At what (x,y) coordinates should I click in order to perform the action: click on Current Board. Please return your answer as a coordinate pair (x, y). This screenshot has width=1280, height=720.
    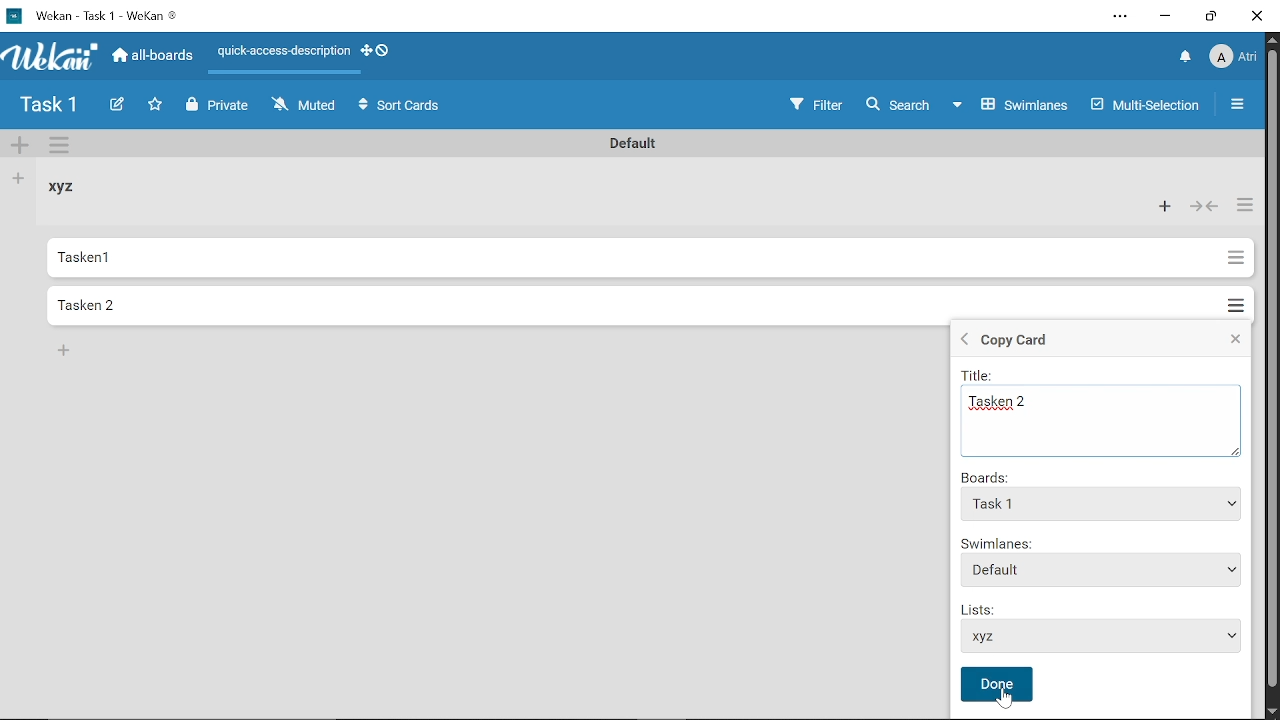
    Looking at the image, I should click on (50, 107).